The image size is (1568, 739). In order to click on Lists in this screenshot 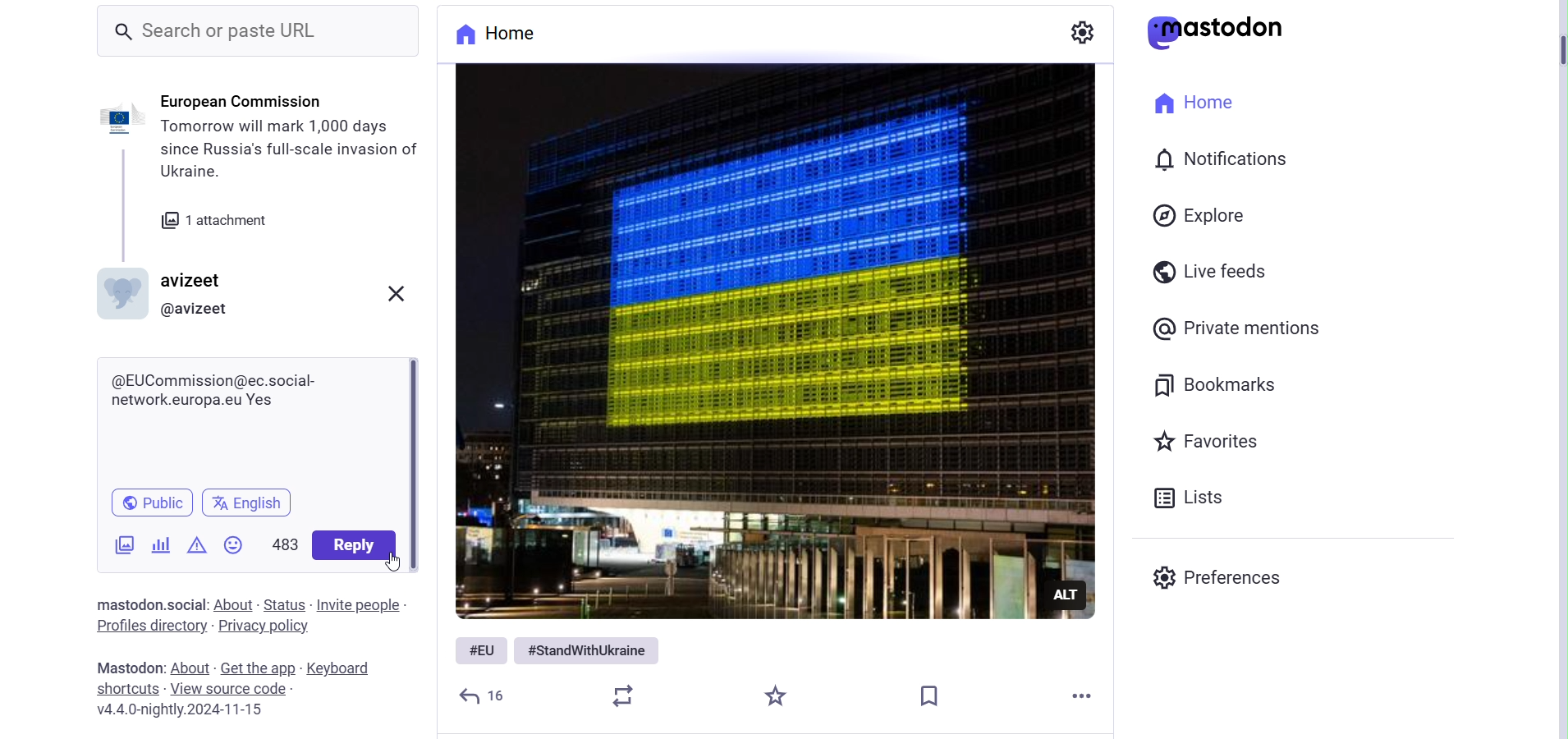, I will do `click(1194, 498)`.